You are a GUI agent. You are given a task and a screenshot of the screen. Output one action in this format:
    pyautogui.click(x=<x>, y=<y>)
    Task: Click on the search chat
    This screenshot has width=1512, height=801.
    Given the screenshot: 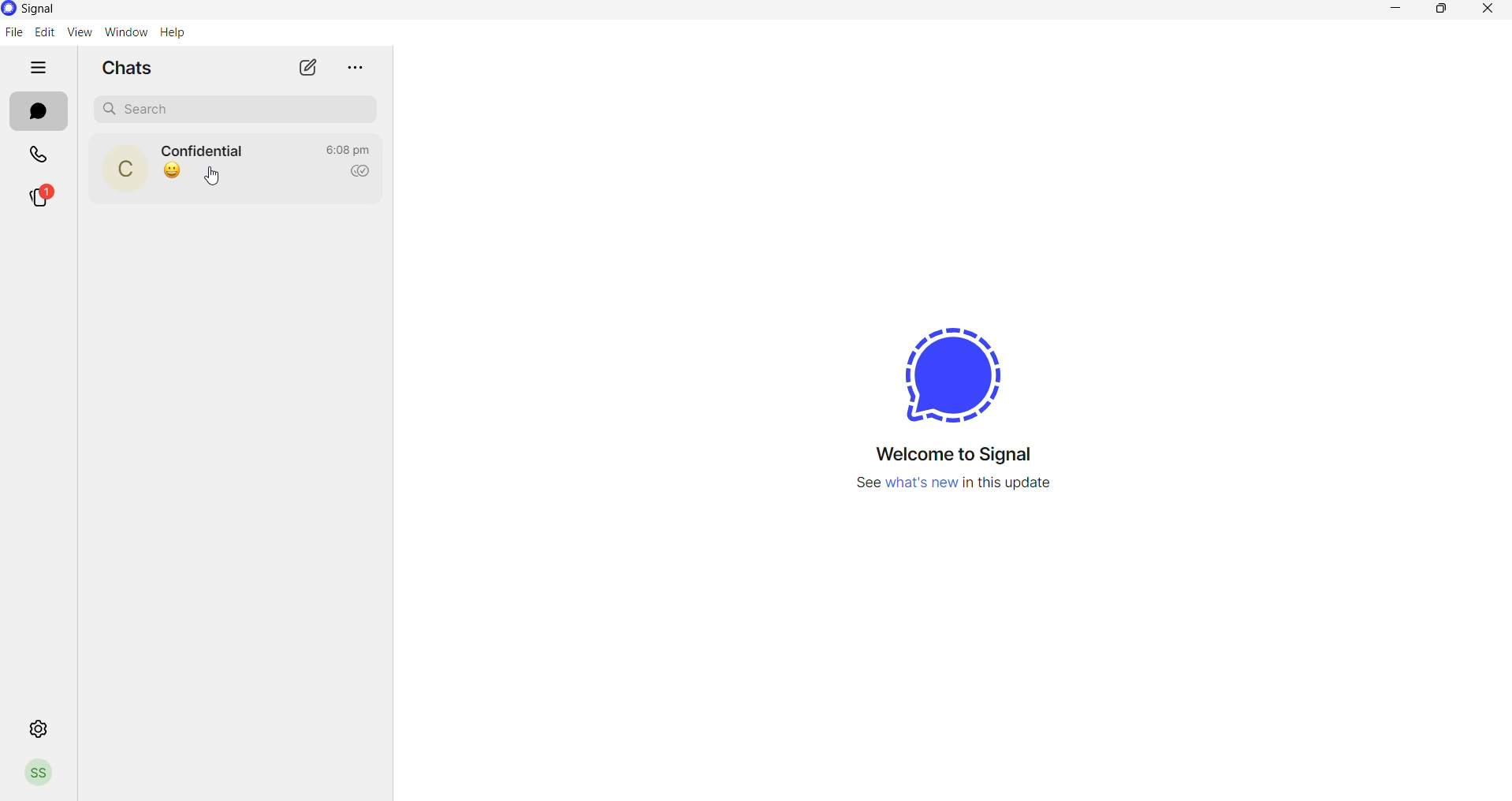 What is the action you would take?
    pyautogui.click(x=235, y=108)
    